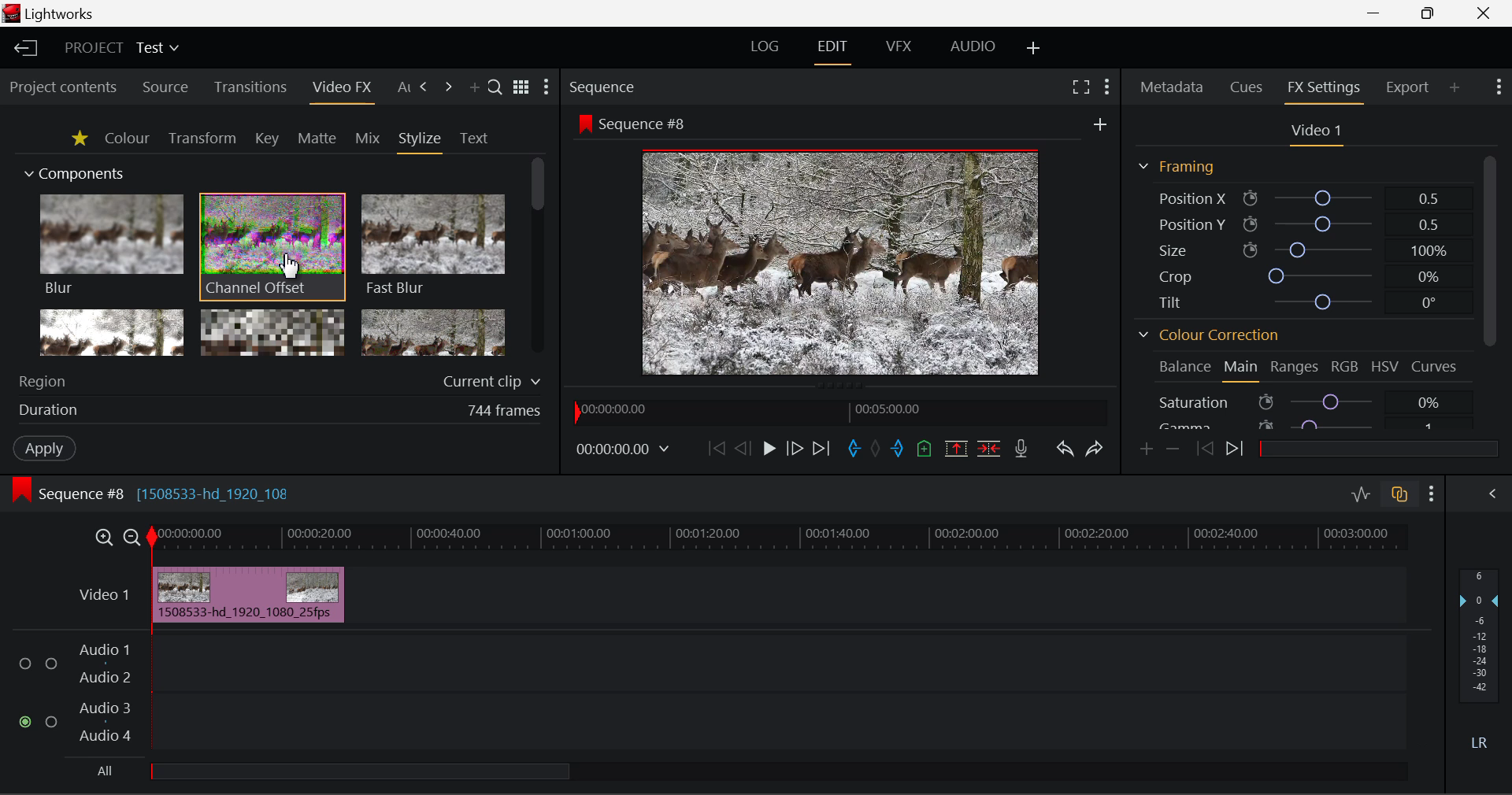 This screenshot has width=1512, height=795. I want to click on Stylize Tab Open, so click(419, 142).